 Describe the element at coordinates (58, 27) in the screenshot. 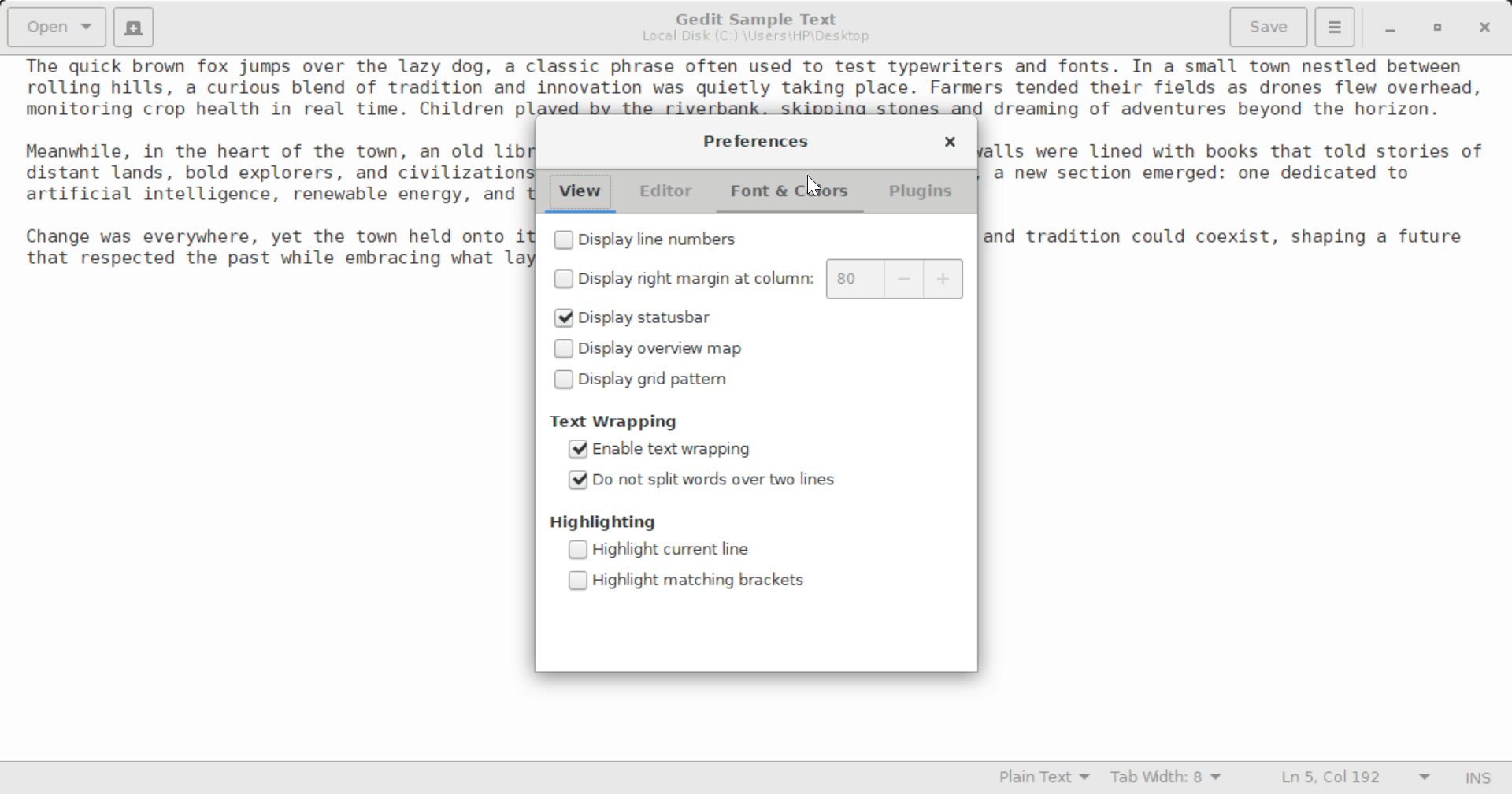

I see `Open Documents` at that location.